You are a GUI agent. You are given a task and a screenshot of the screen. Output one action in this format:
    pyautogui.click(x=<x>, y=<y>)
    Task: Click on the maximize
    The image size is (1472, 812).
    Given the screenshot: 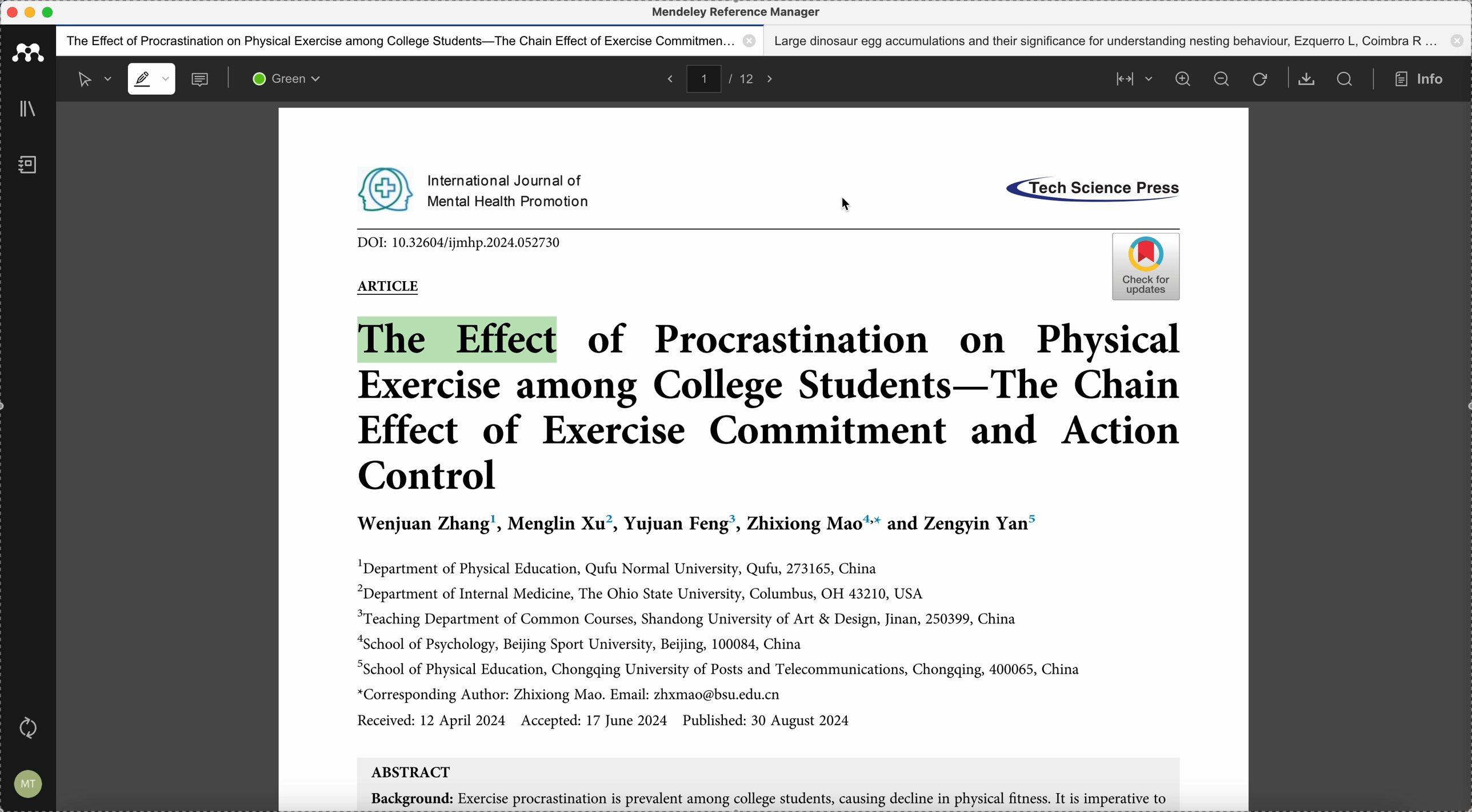 What is the action you would take?
    pyautogui.click(x=49, y=13)
    